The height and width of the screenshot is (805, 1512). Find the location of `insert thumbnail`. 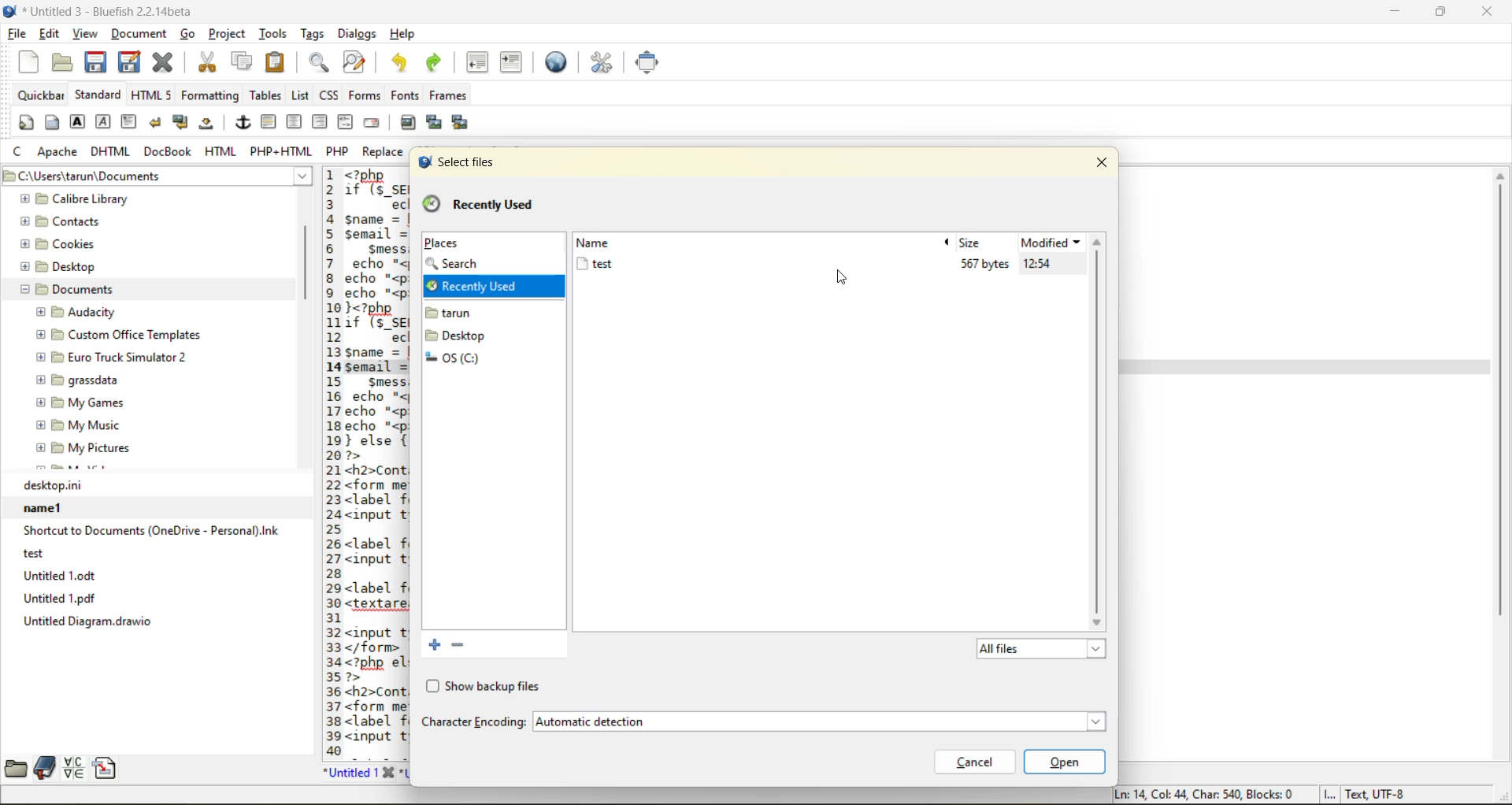

insert thumbnail is located at coordinates (435, 124).